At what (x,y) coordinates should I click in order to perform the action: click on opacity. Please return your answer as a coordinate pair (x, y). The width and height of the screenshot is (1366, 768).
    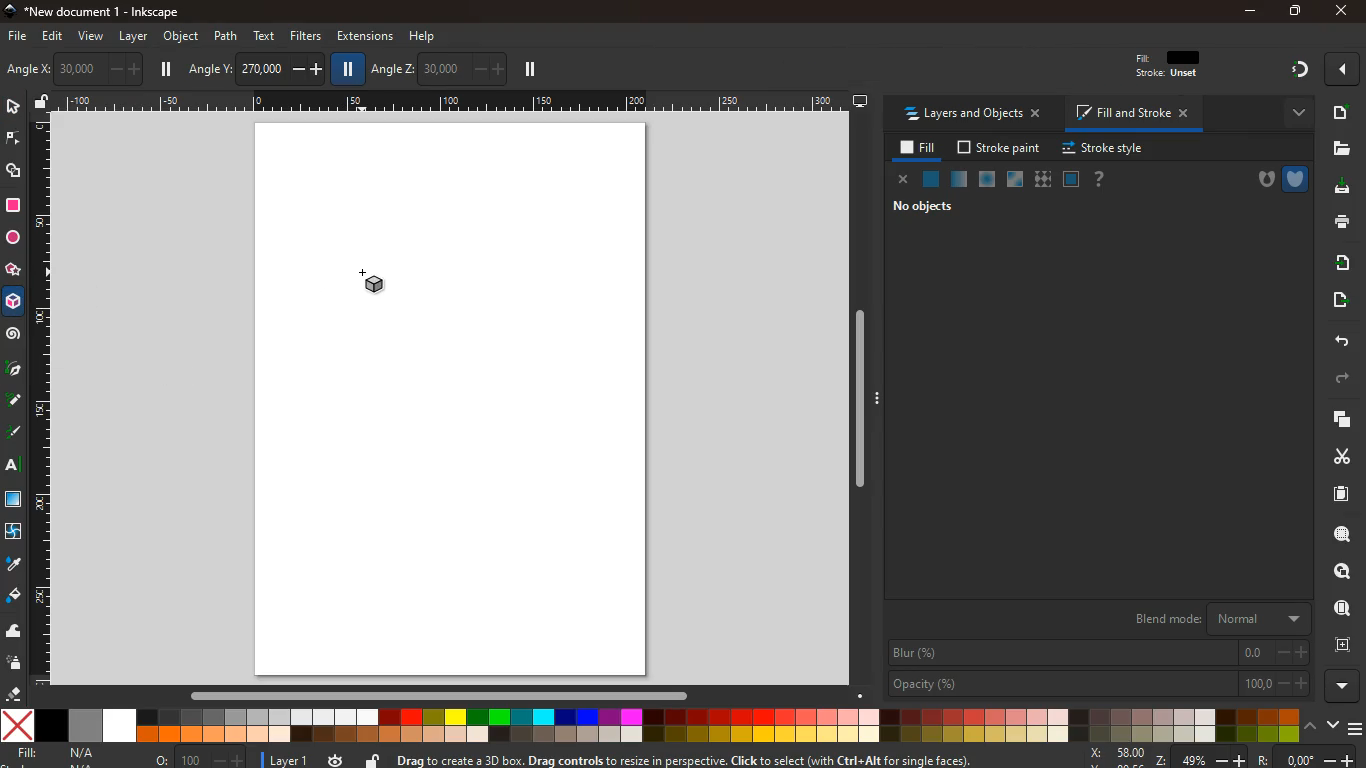
    Looking at the image, I should click on (957, 180).